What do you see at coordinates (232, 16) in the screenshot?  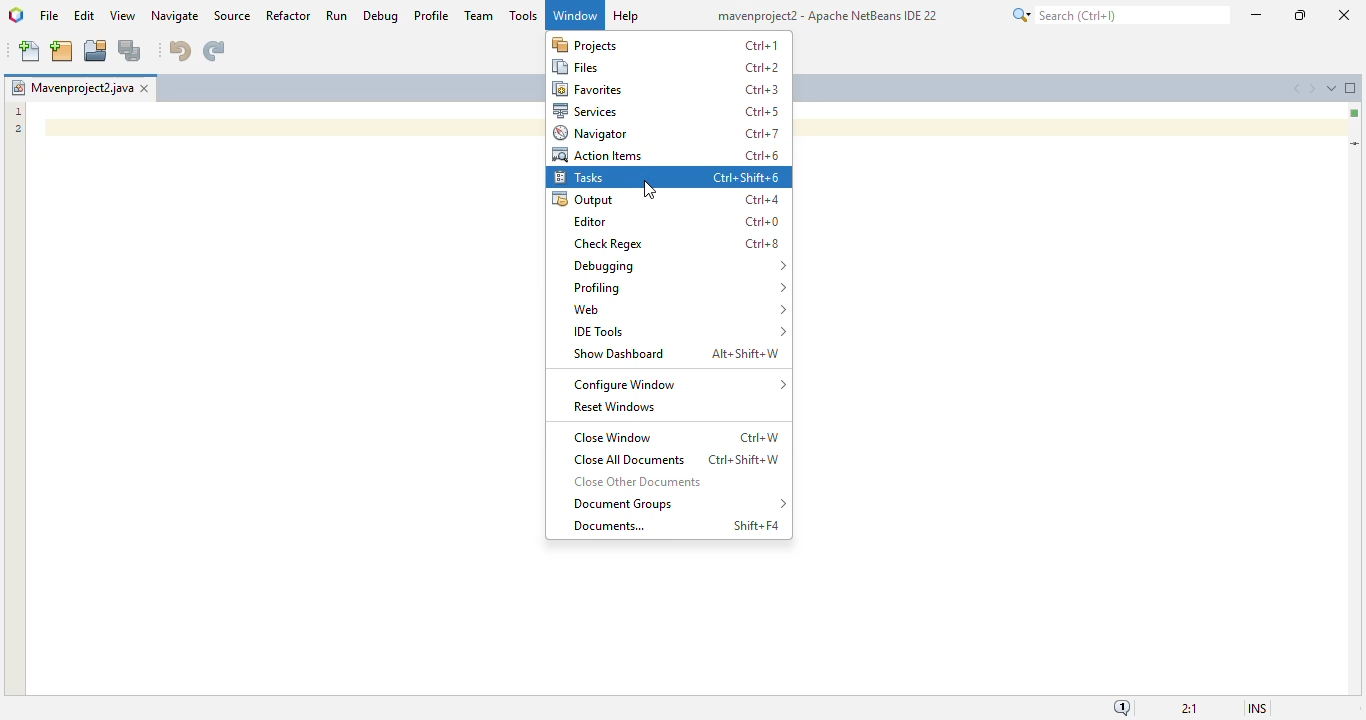 I see `source` at bounding box center [232, 16].